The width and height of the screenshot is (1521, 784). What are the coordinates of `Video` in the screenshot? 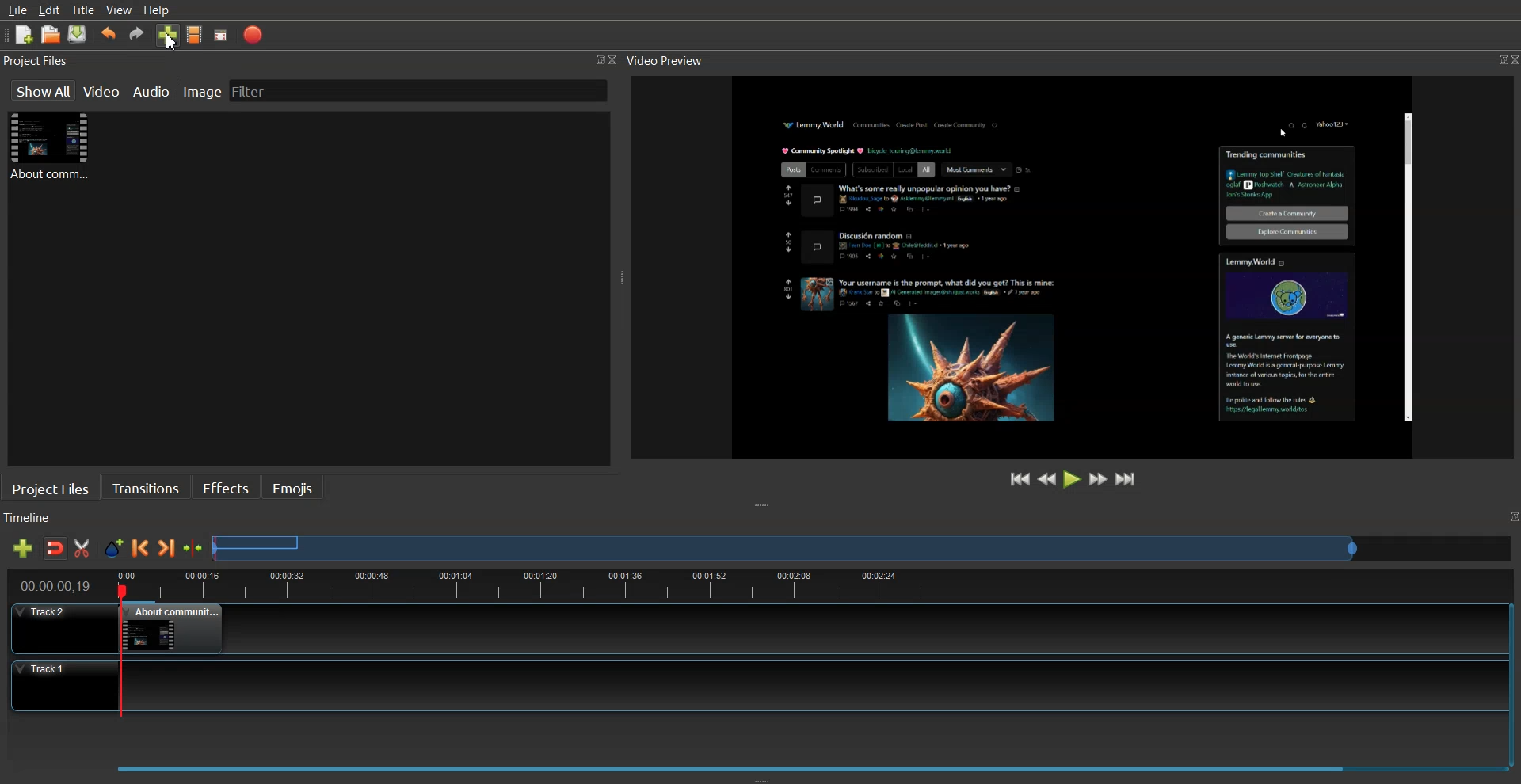 It's located at (103, 89).